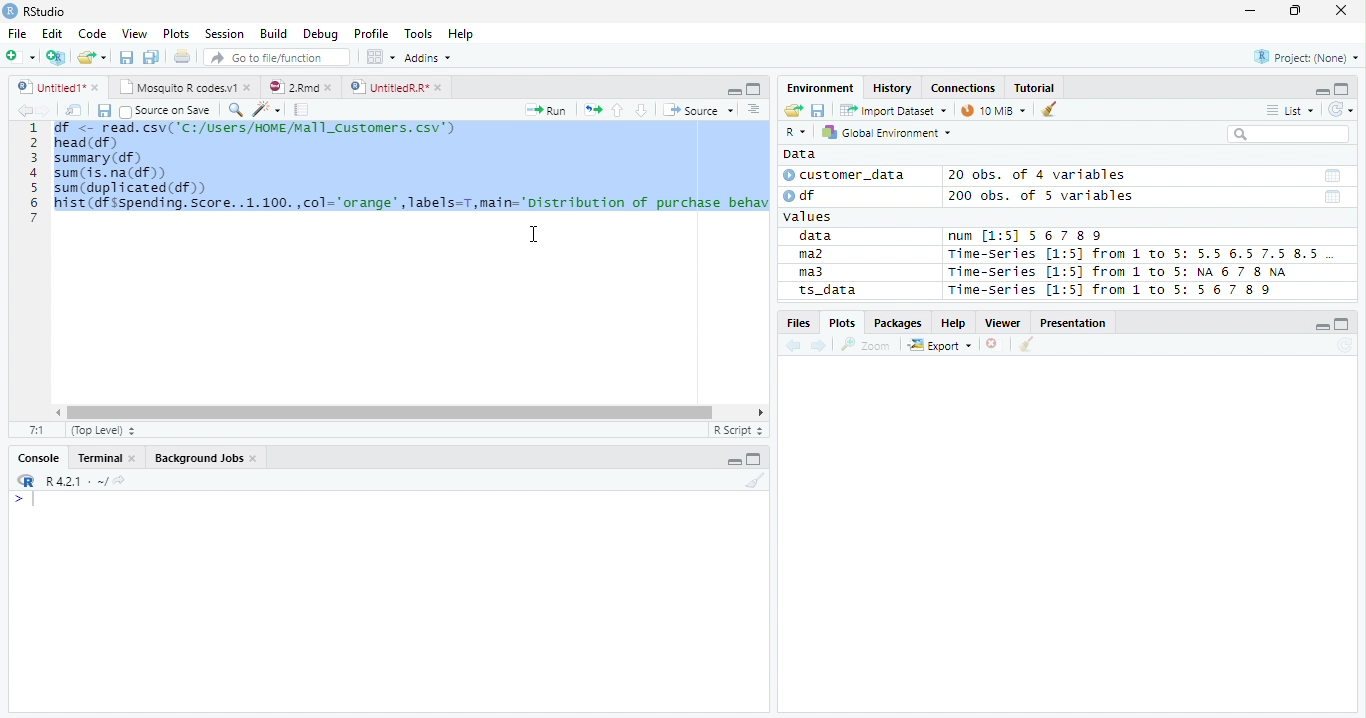 This screenshot has width=1366, height=718. I want to click on Packages, so click(897, 324).